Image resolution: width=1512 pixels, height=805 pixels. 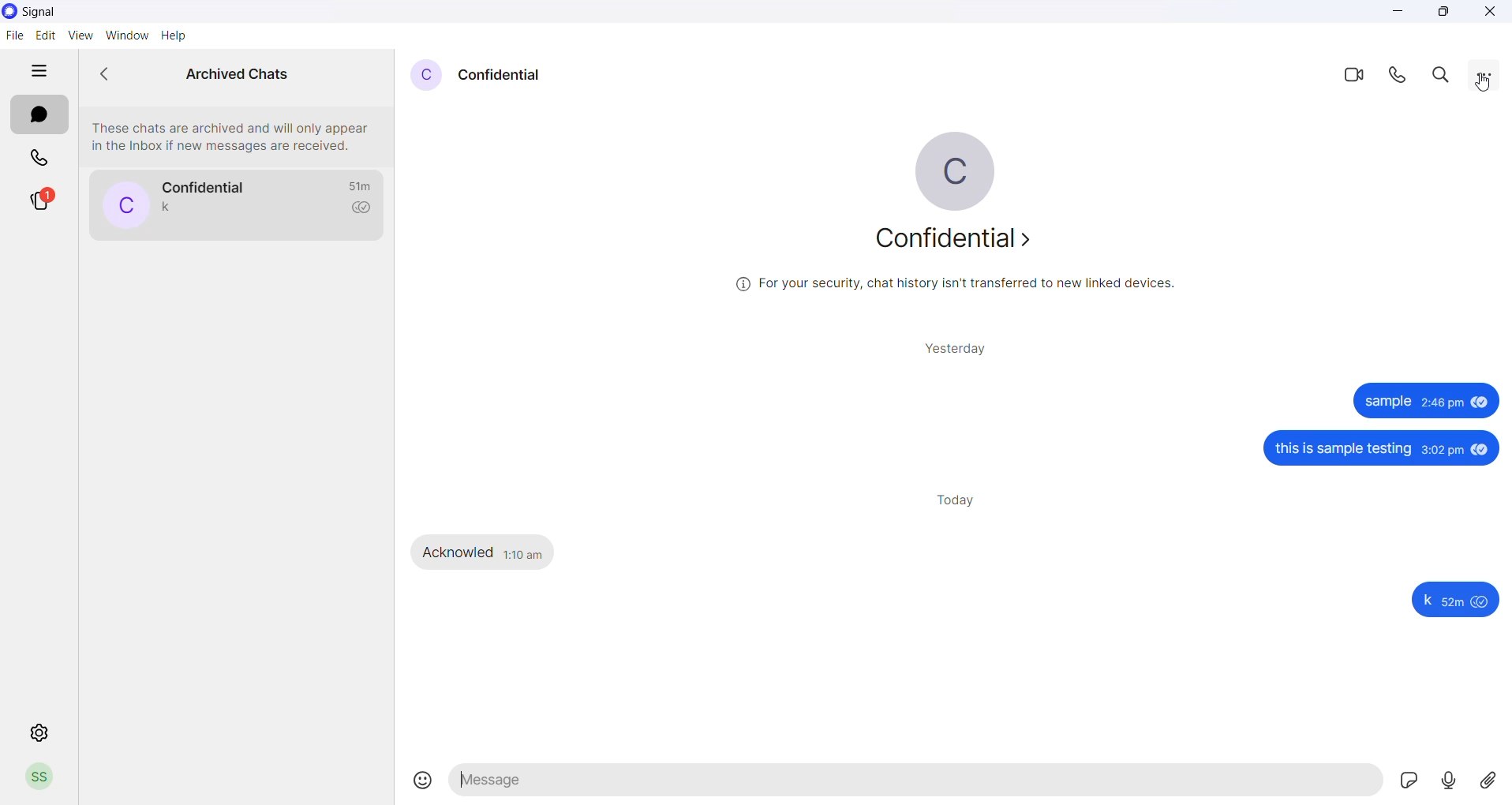 I want to click on cursor, so click(x=1486, y=84).